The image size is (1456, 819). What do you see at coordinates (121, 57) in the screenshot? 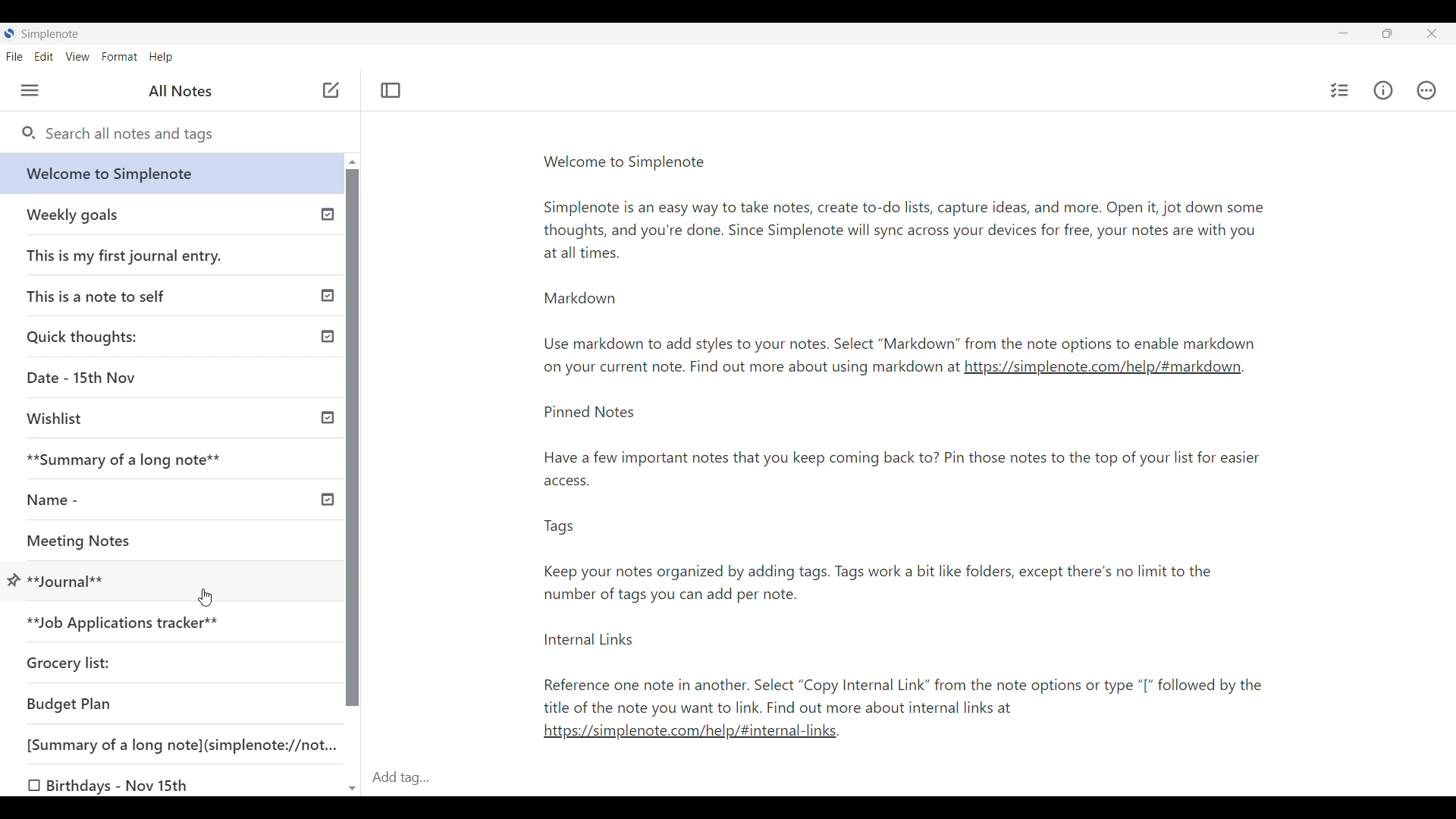
I see `Format menu` at bounding box center [121, 57].